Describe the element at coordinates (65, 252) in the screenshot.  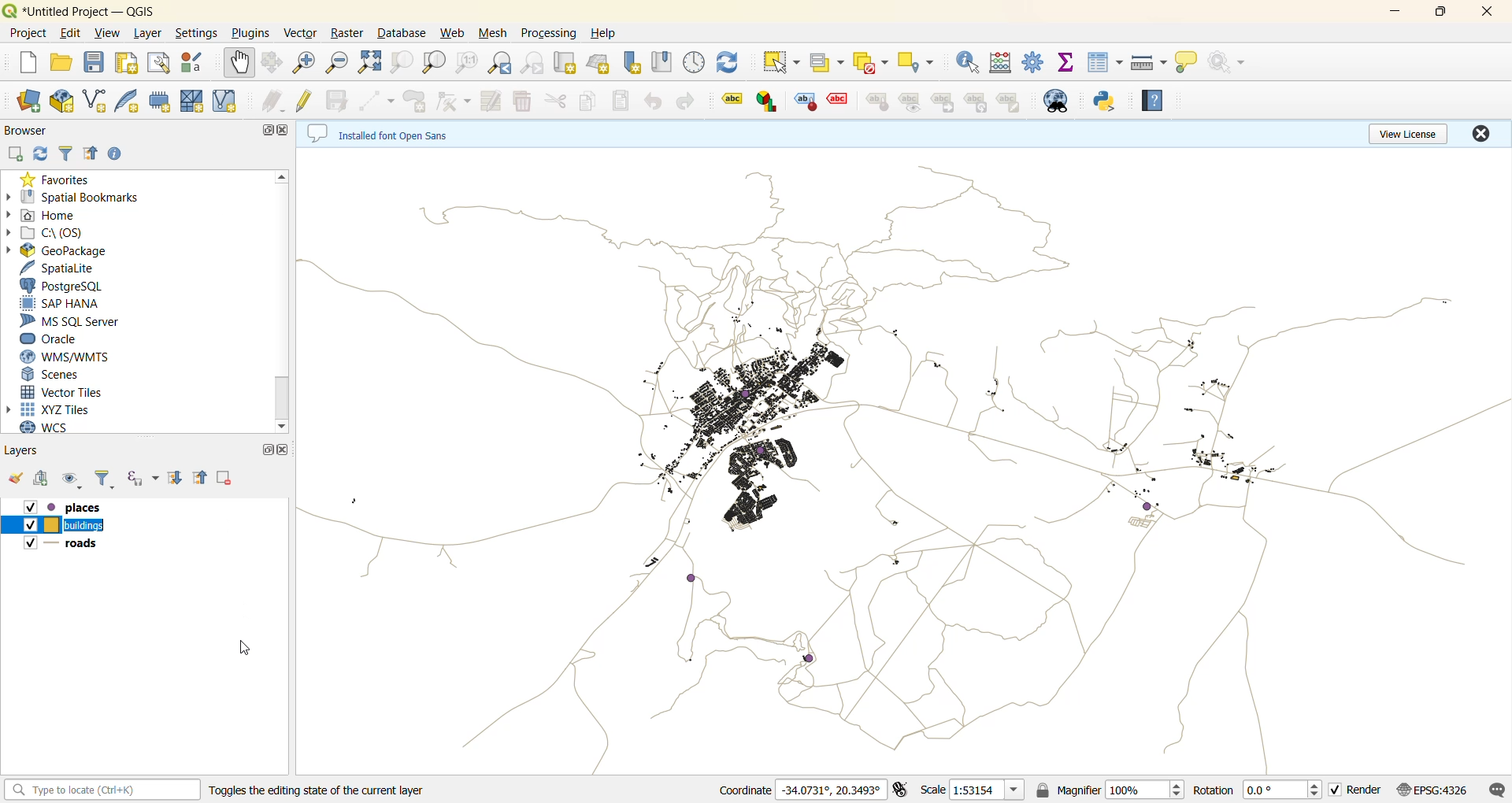
I see `geopackage` at that location.